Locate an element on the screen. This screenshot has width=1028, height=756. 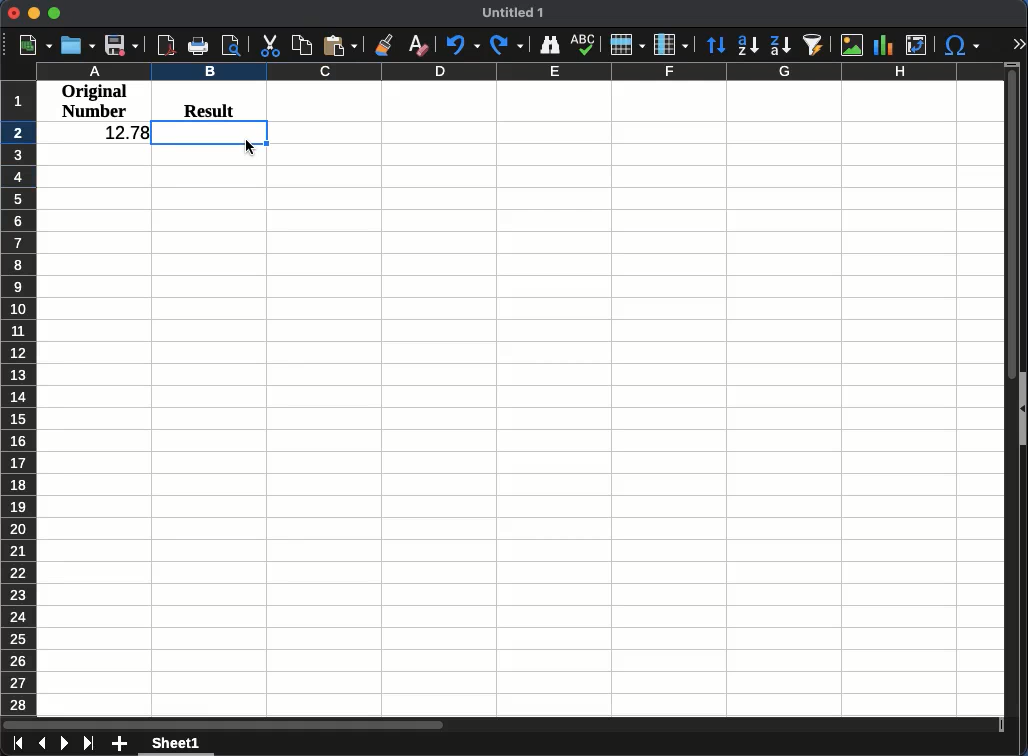
open is located at coordinates (80, 45).